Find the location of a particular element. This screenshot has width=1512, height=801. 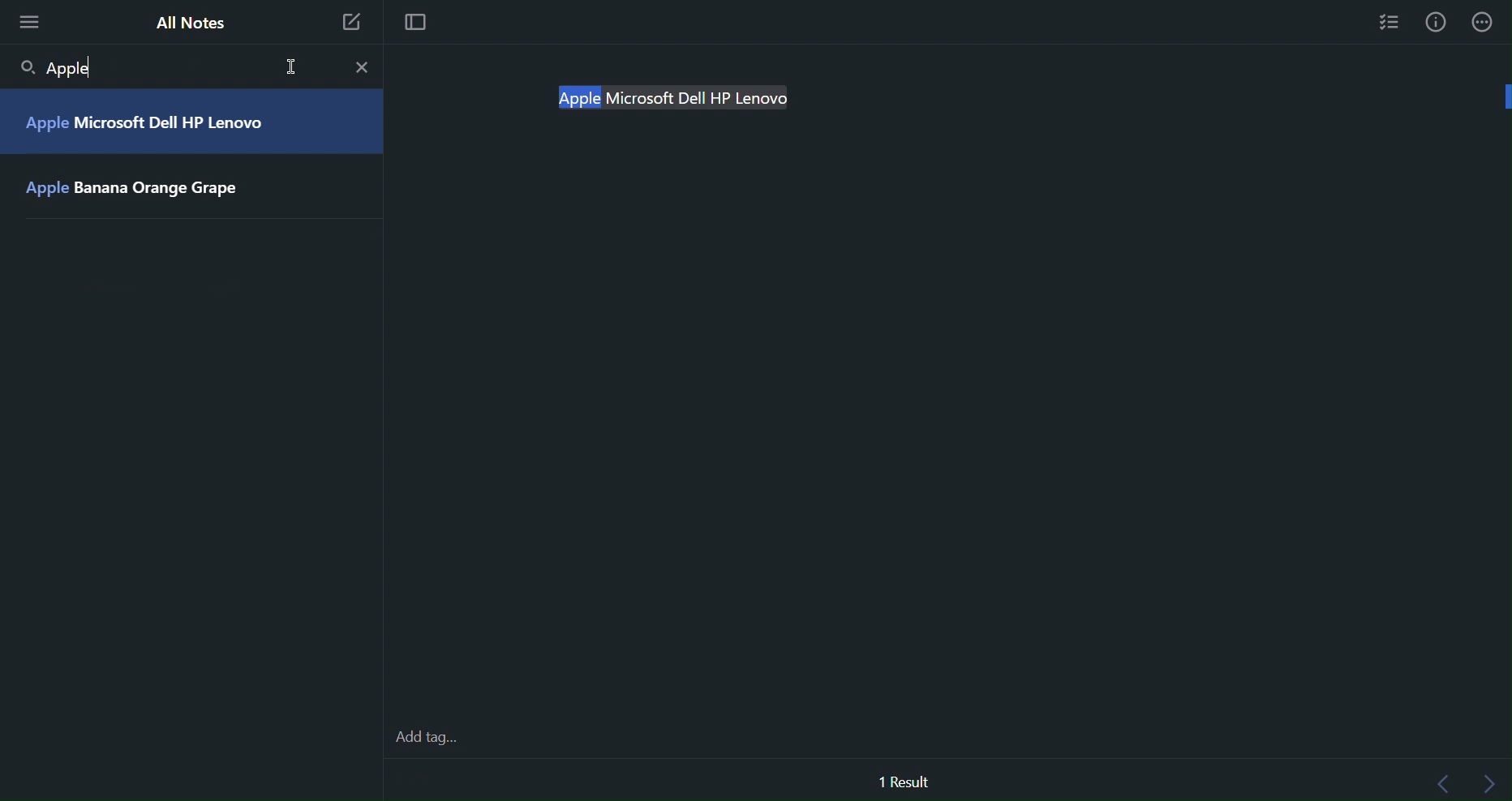

Apple  is located at coordinates (45, 191).